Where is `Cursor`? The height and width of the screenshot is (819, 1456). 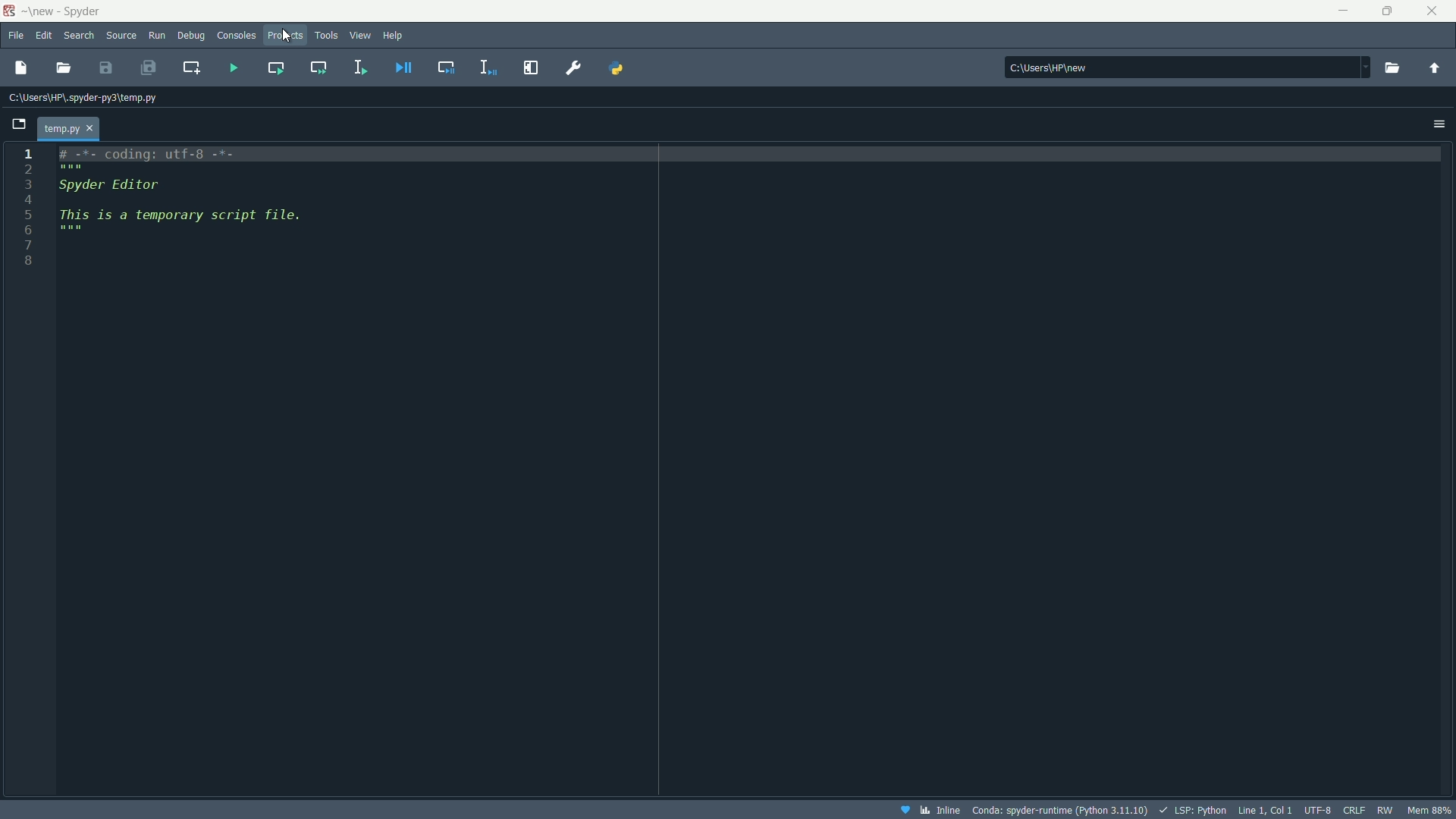
Cursor is located at coordinates (288, 37).